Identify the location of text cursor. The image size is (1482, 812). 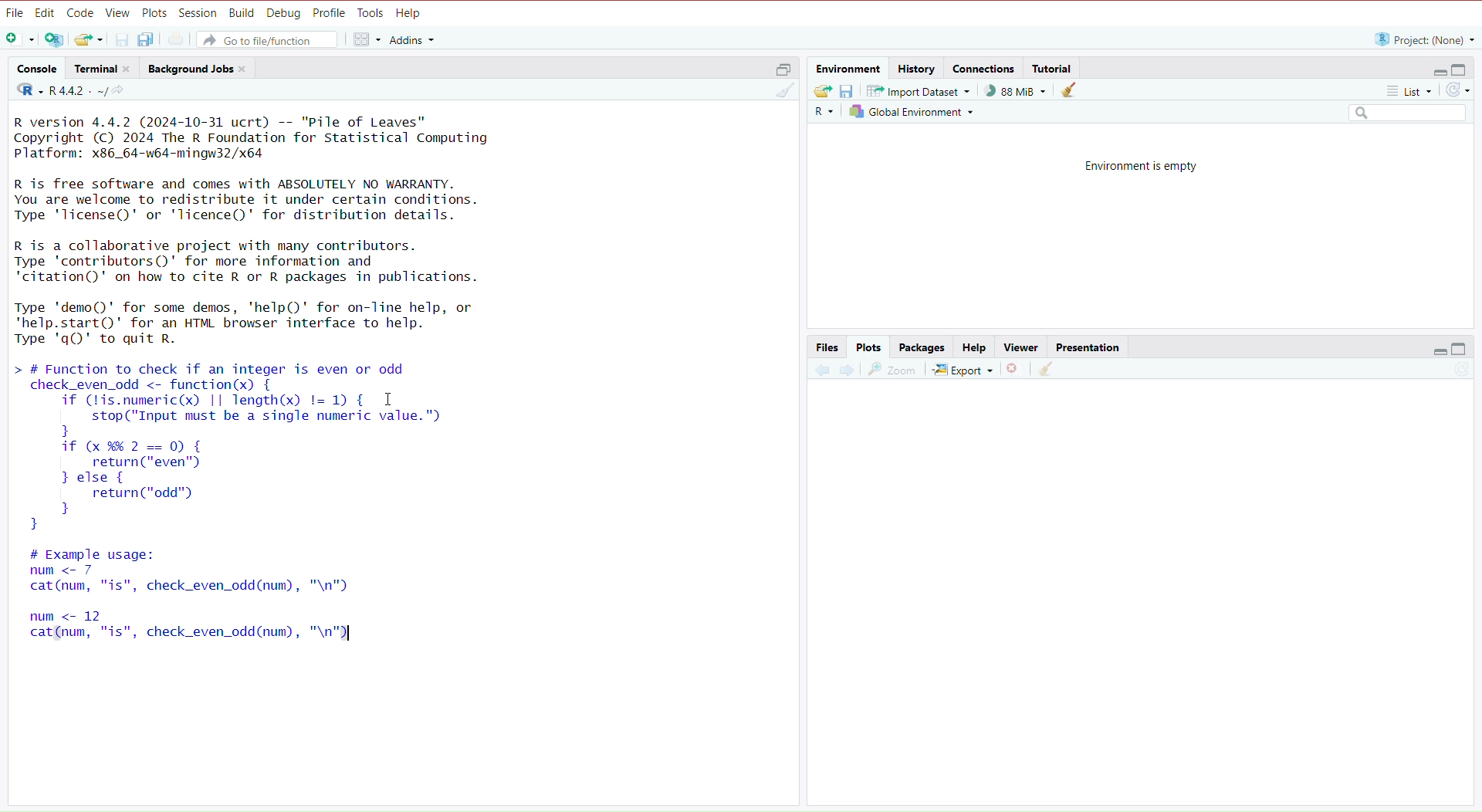
(349, 635).